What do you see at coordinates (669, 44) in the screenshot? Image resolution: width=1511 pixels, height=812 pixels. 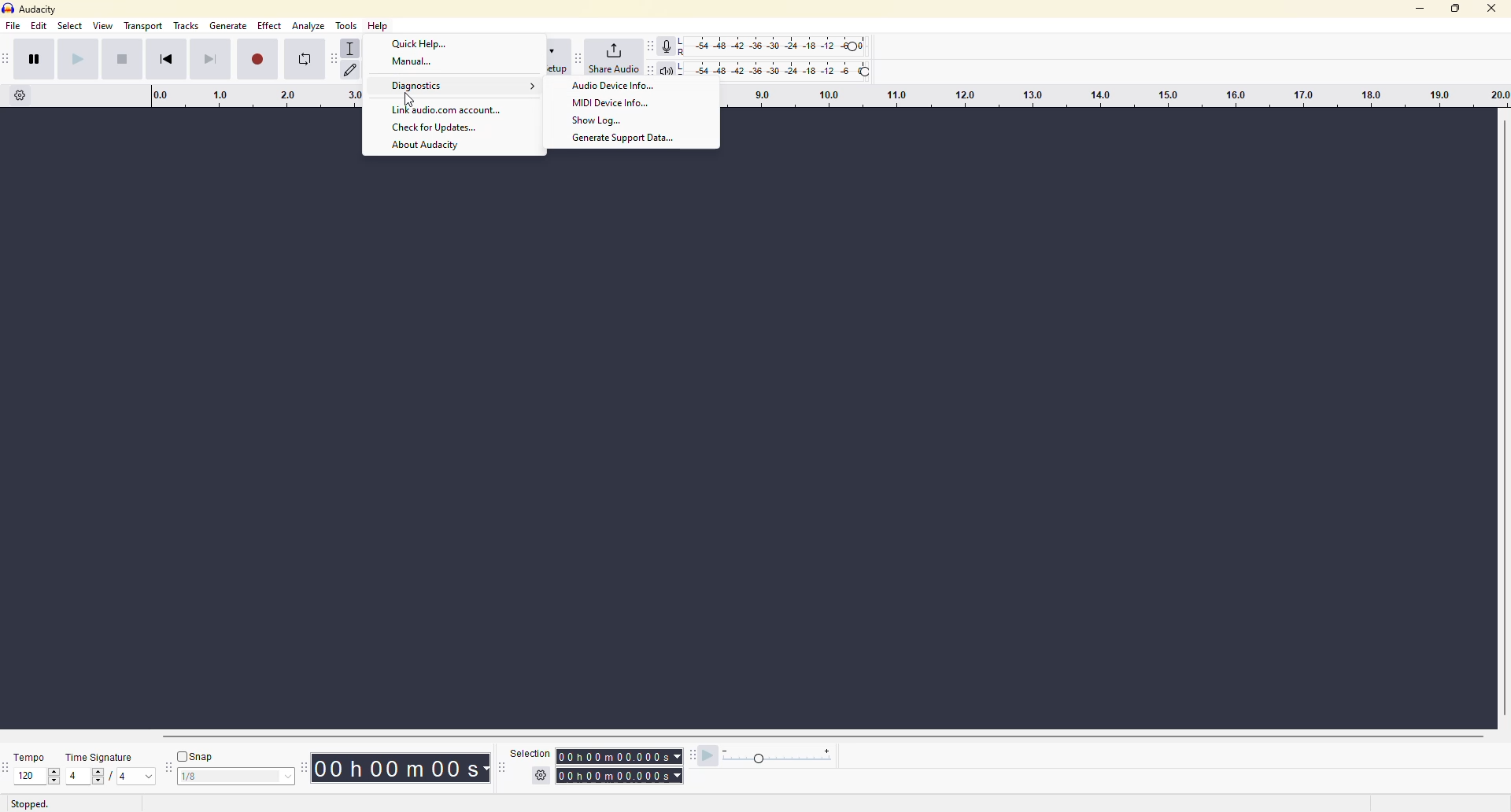 I see `record meter` at bounding box center [669, 44].